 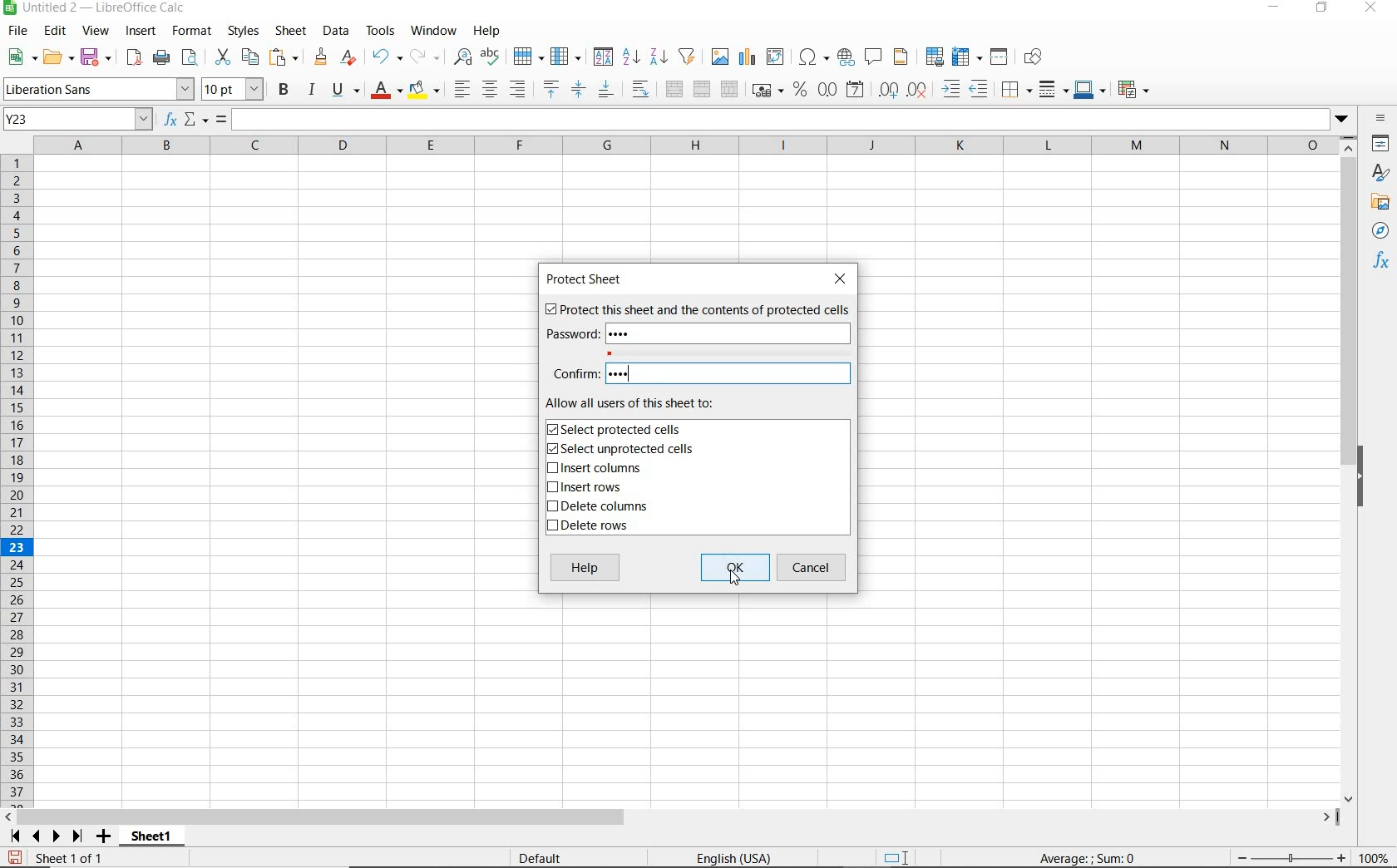 I want to click on DELETE DECIMAL PLACE, so click(x=917, y=90).